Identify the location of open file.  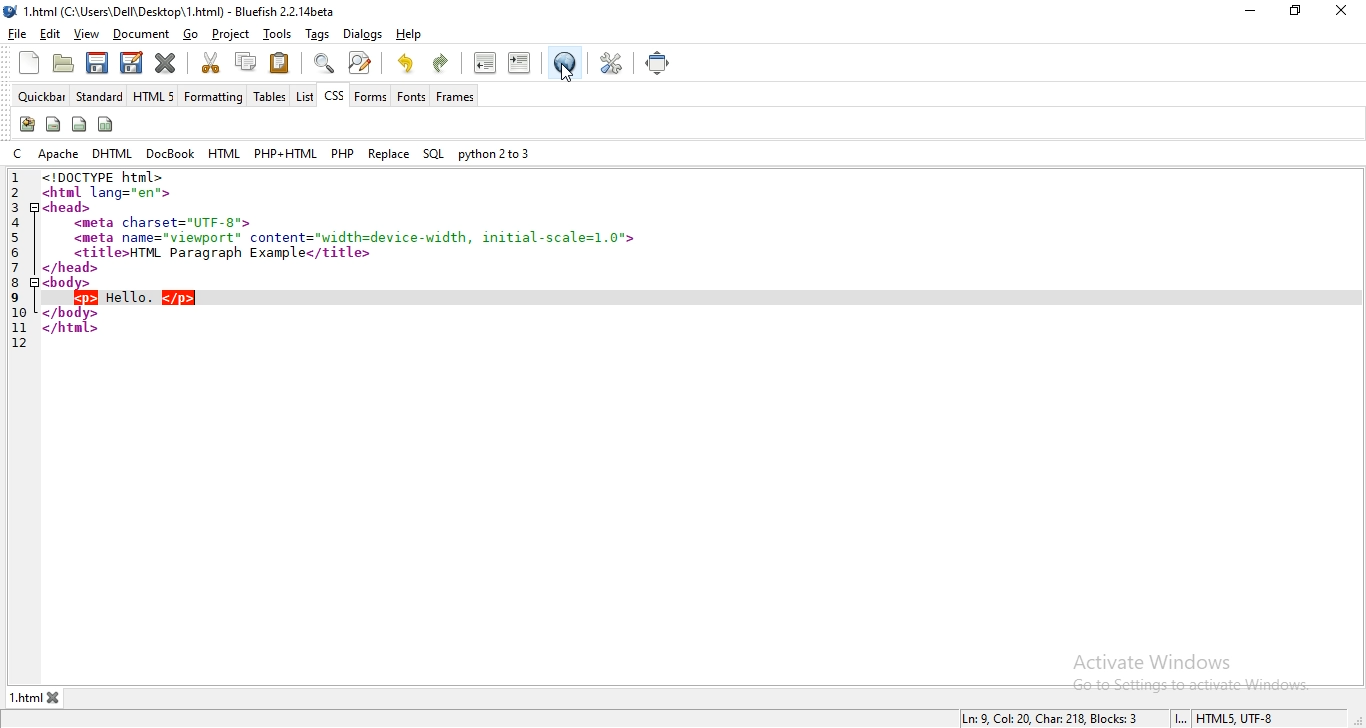
(63, 63).